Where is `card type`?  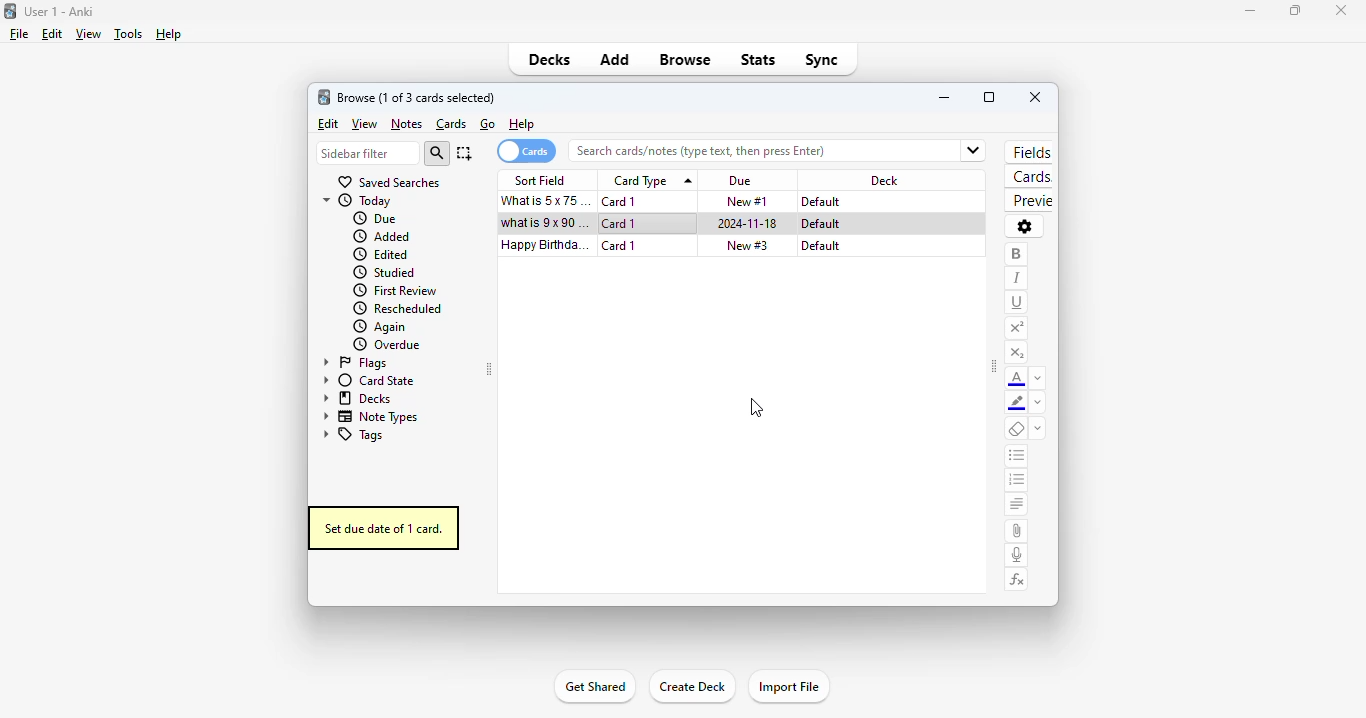 card type is located at coordinates (651, 180).